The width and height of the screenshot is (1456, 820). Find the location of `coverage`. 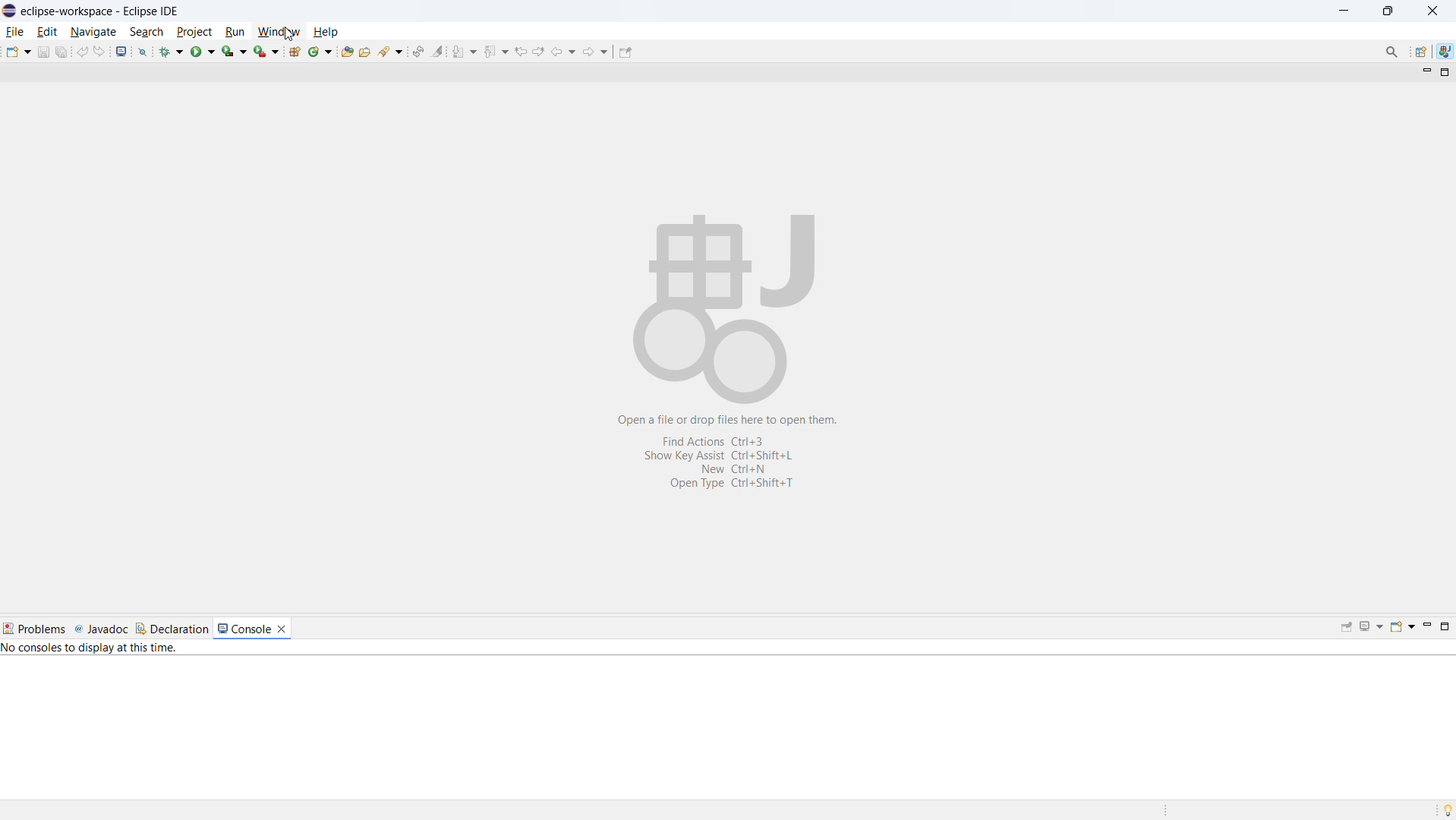

coverage is located at coordinates (234, 51).